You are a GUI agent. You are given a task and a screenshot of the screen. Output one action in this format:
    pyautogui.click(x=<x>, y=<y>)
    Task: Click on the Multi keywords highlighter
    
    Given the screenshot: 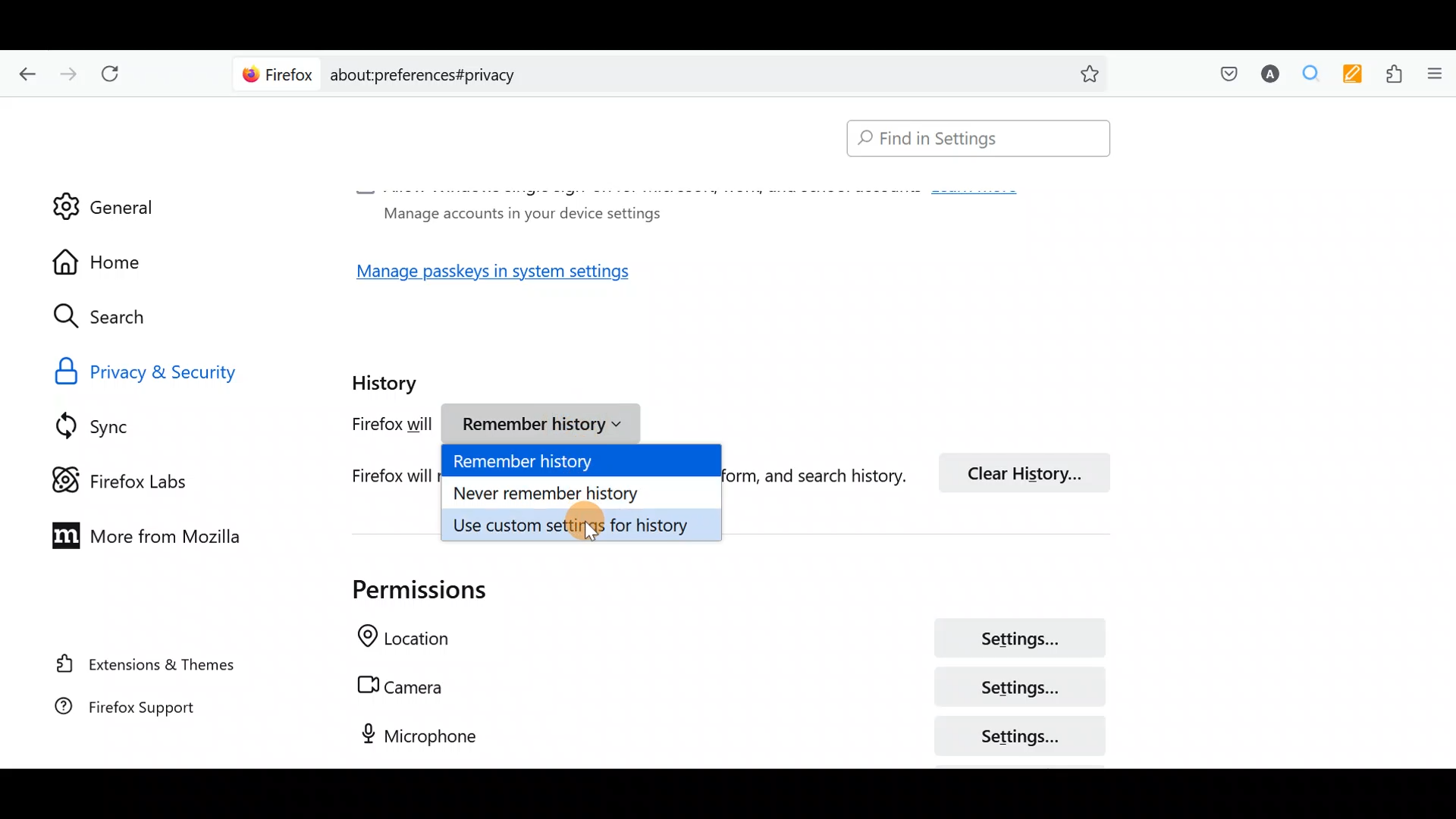 What is the action you would take?
    pyautogui.click(x=1348, y=76)
    